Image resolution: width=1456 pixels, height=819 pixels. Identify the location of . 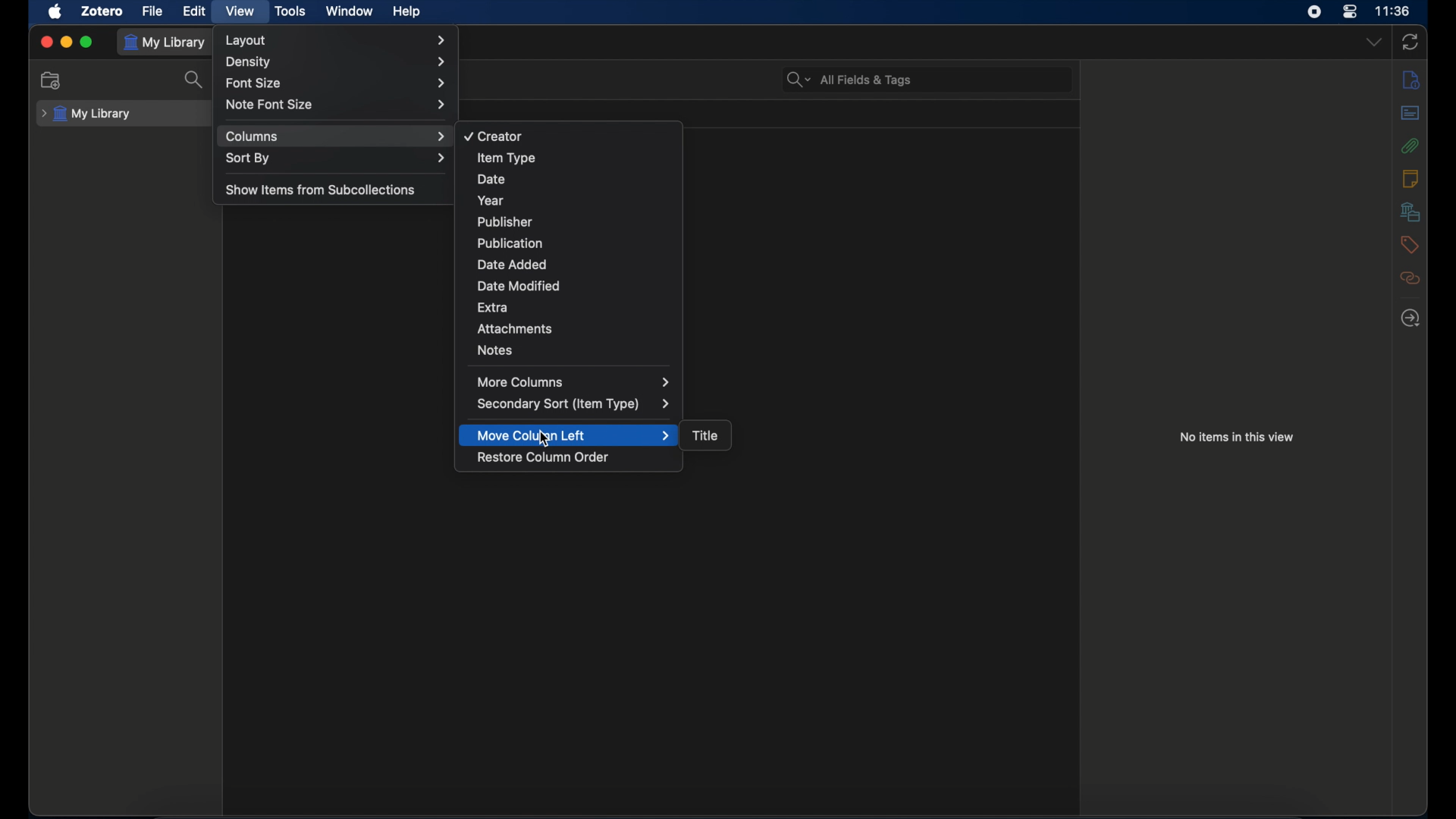
(337, 63).